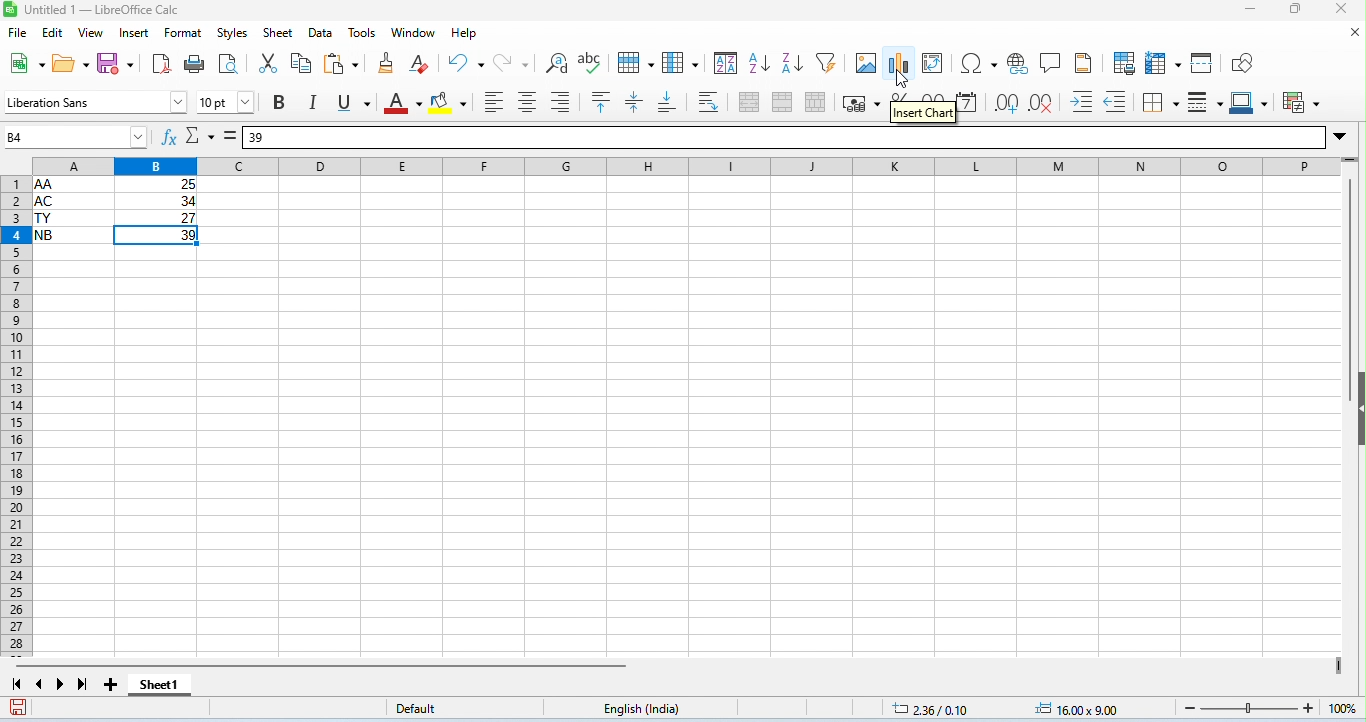 This screenshot has width=1366, height=722. Describe the element at coordinates (1206, 105) in the screenshot. I see `border style` at that location.